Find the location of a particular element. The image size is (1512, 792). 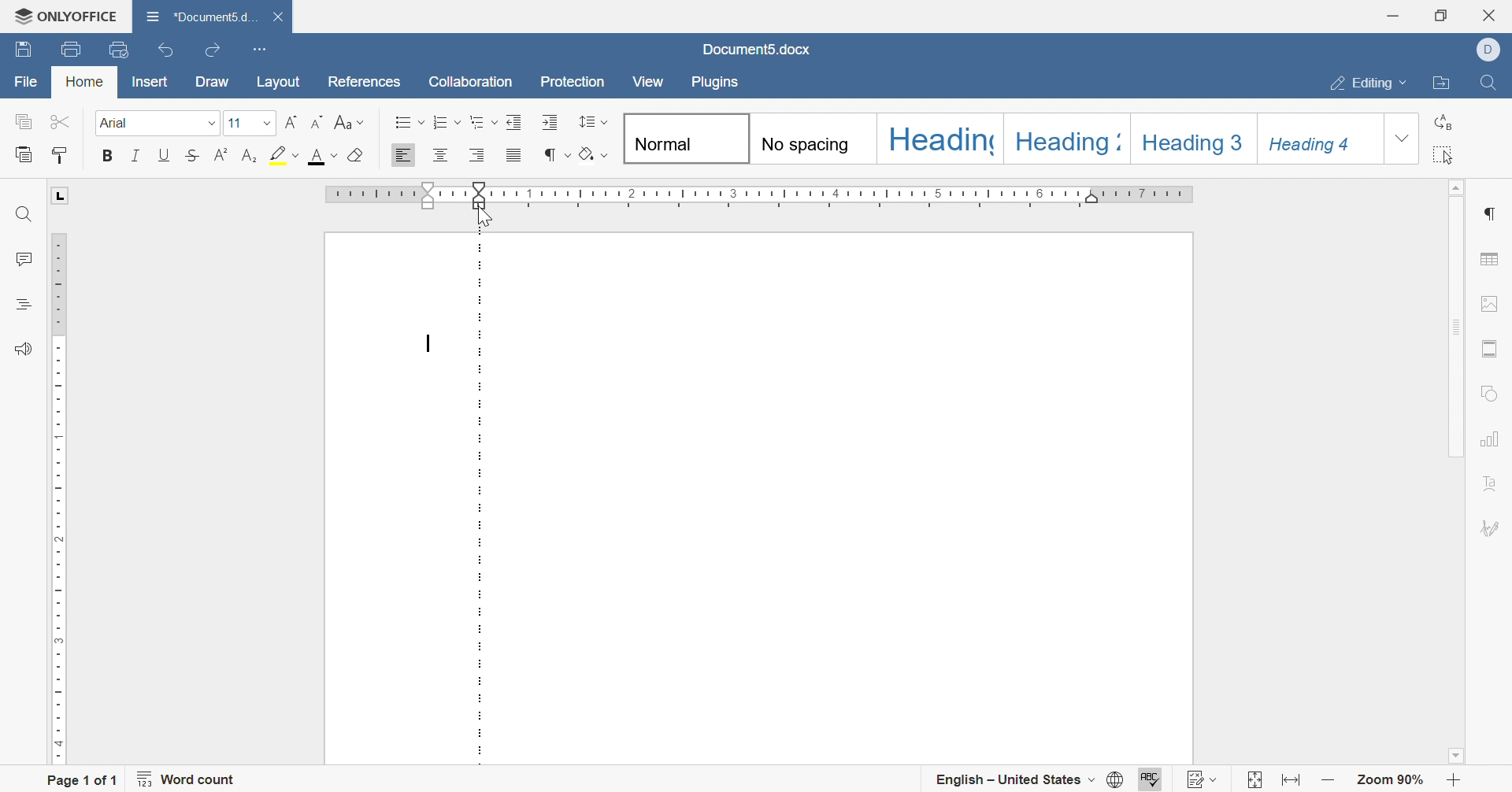

cut is located at coordinates (57, 120).